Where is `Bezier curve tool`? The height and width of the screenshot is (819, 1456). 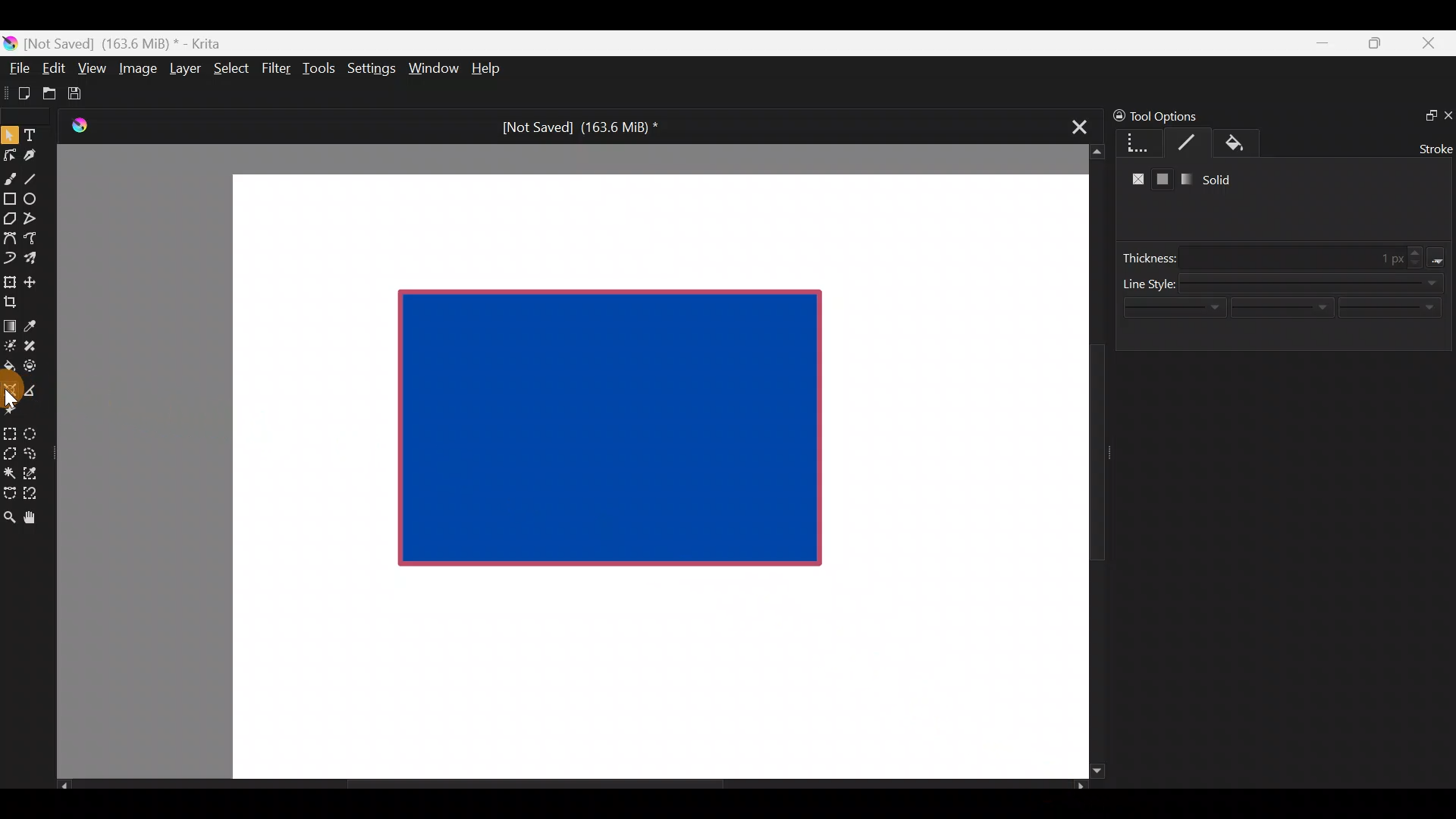 Bezier curve tool is located at coordinates (9, 240).